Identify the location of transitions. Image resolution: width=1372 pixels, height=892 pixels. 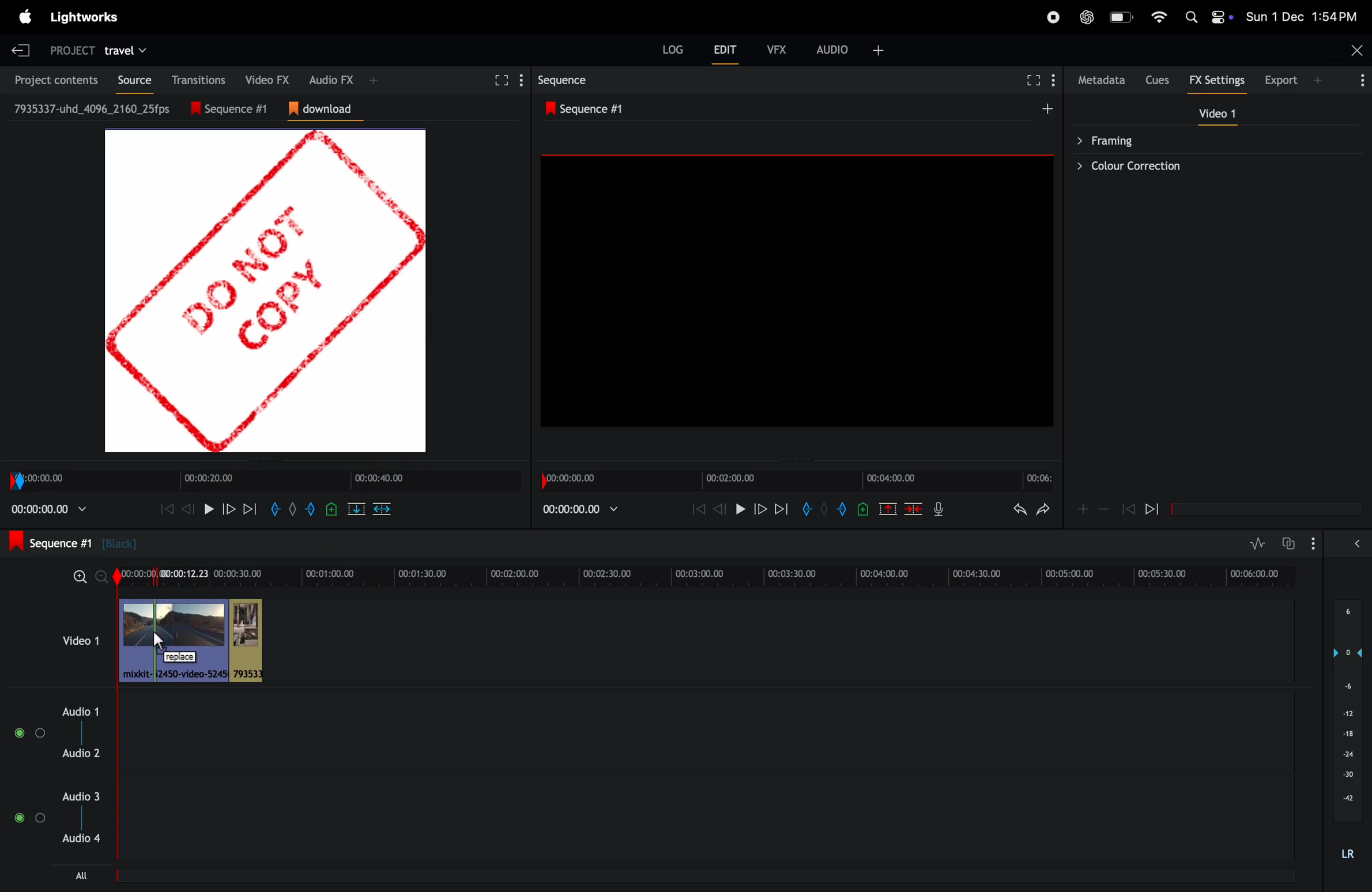
(195, 80).